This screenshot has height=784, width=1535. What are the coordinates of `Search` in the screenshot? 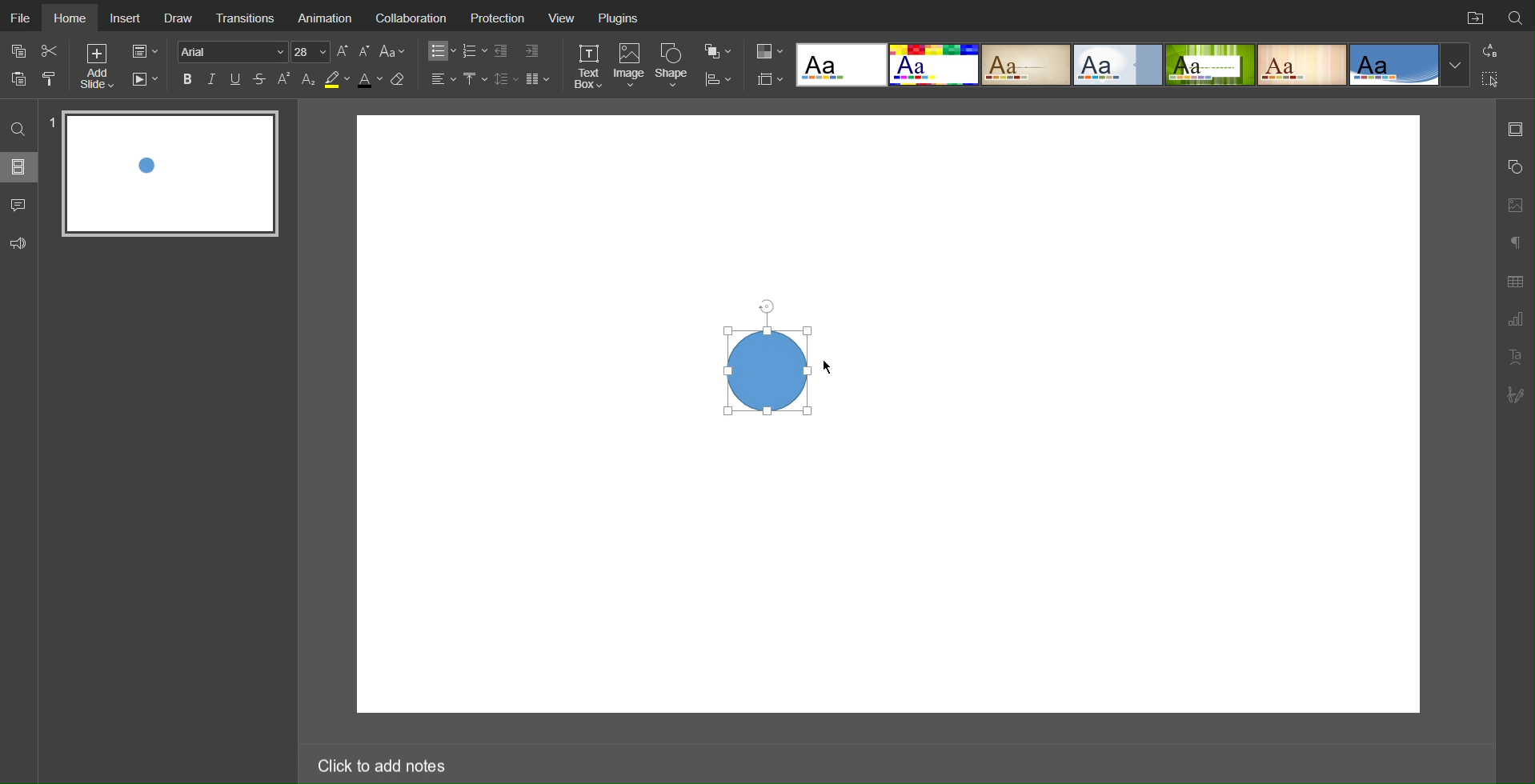 It's located at (20, 128).